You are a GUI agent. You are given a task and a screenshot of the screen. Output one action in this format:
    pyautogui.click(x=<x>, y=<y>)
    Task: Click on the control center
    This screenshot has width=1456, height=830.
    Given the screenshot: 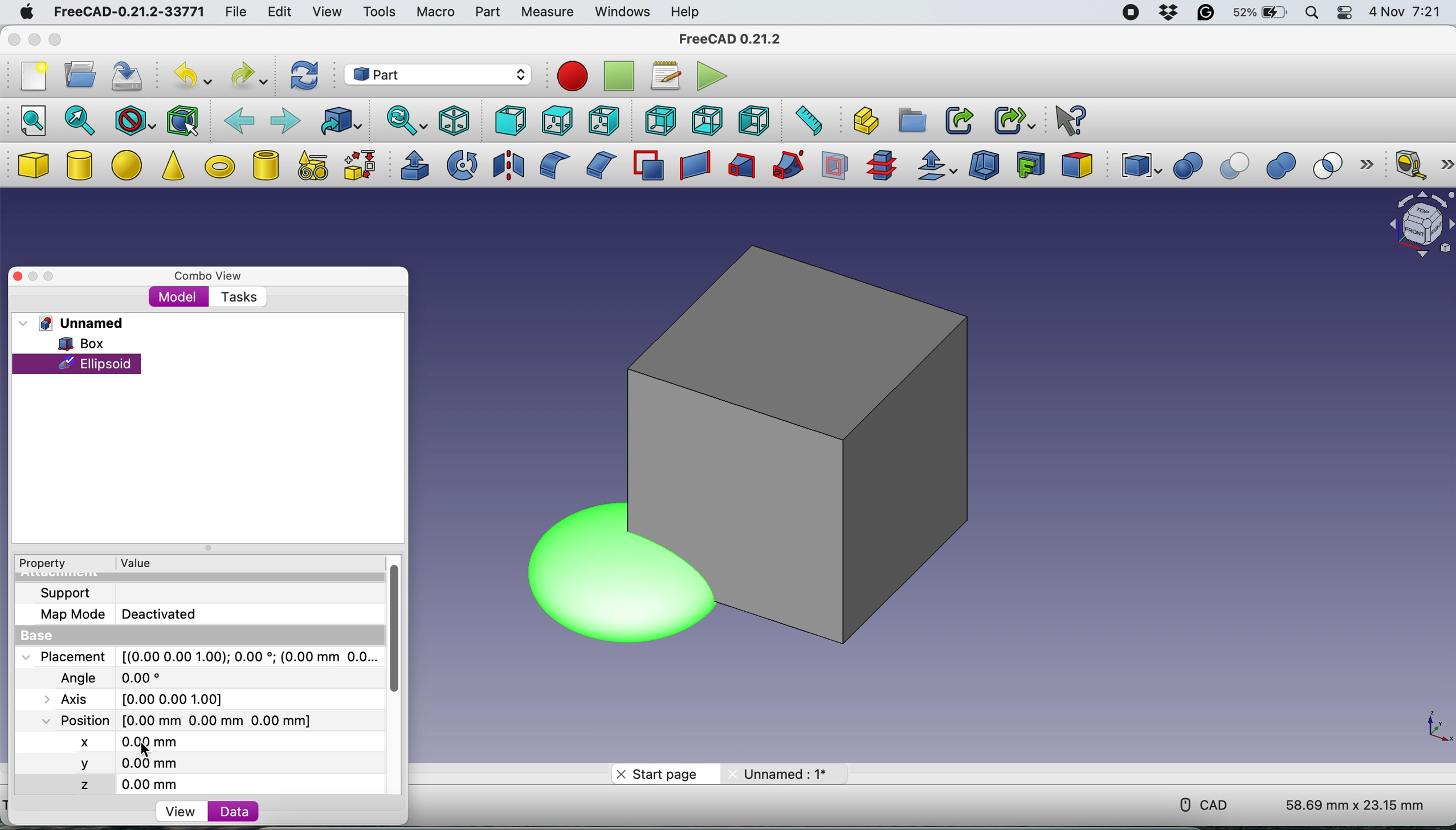 What is the action you would take?
    pyautogui.click(x=1345, y=13)
    